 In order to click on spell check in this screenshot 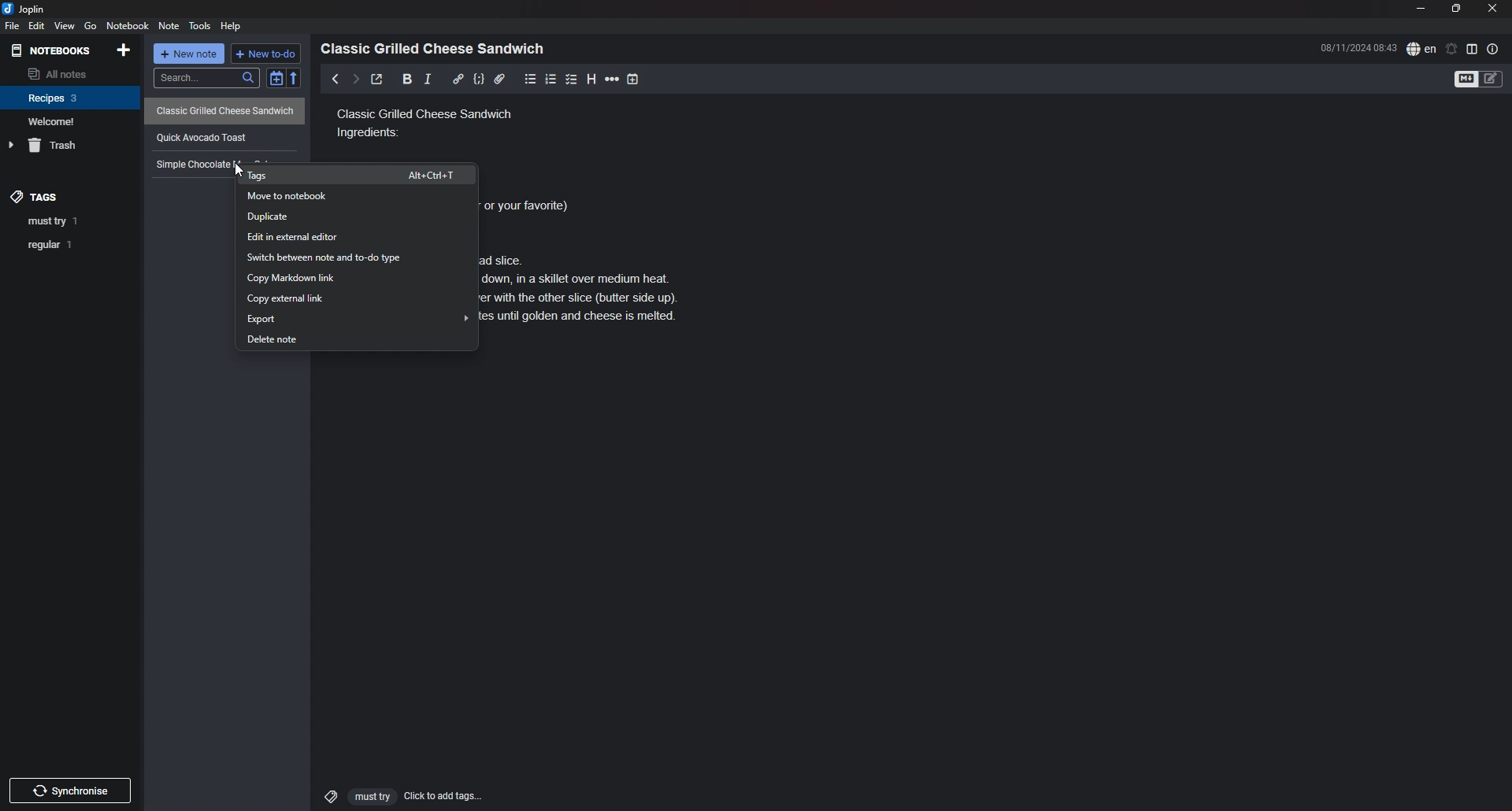, I will do `click(1421, 48)`.